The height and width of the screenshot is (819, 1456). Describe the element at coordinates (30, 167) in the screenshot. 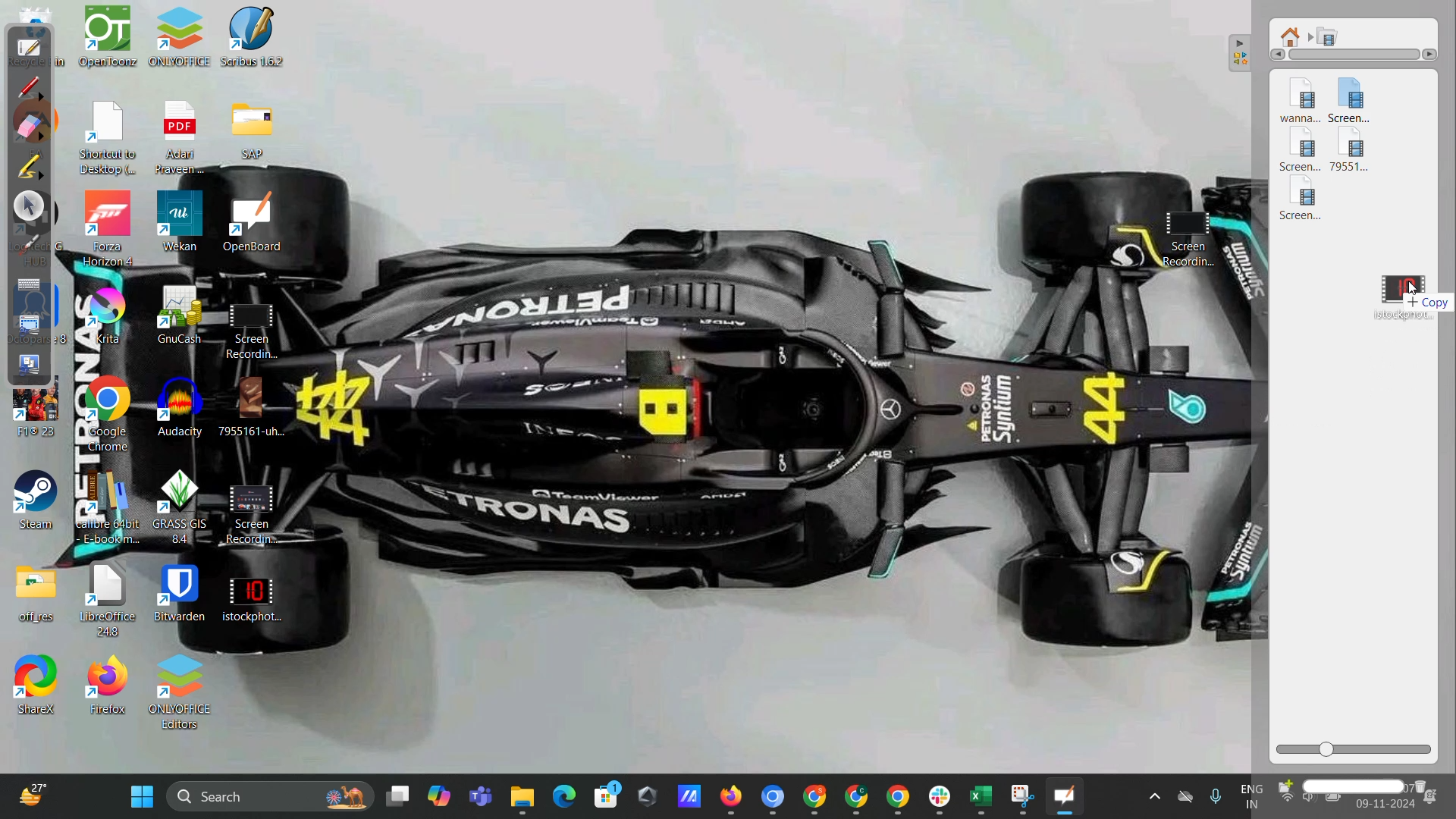

I see `highlight` at that location.